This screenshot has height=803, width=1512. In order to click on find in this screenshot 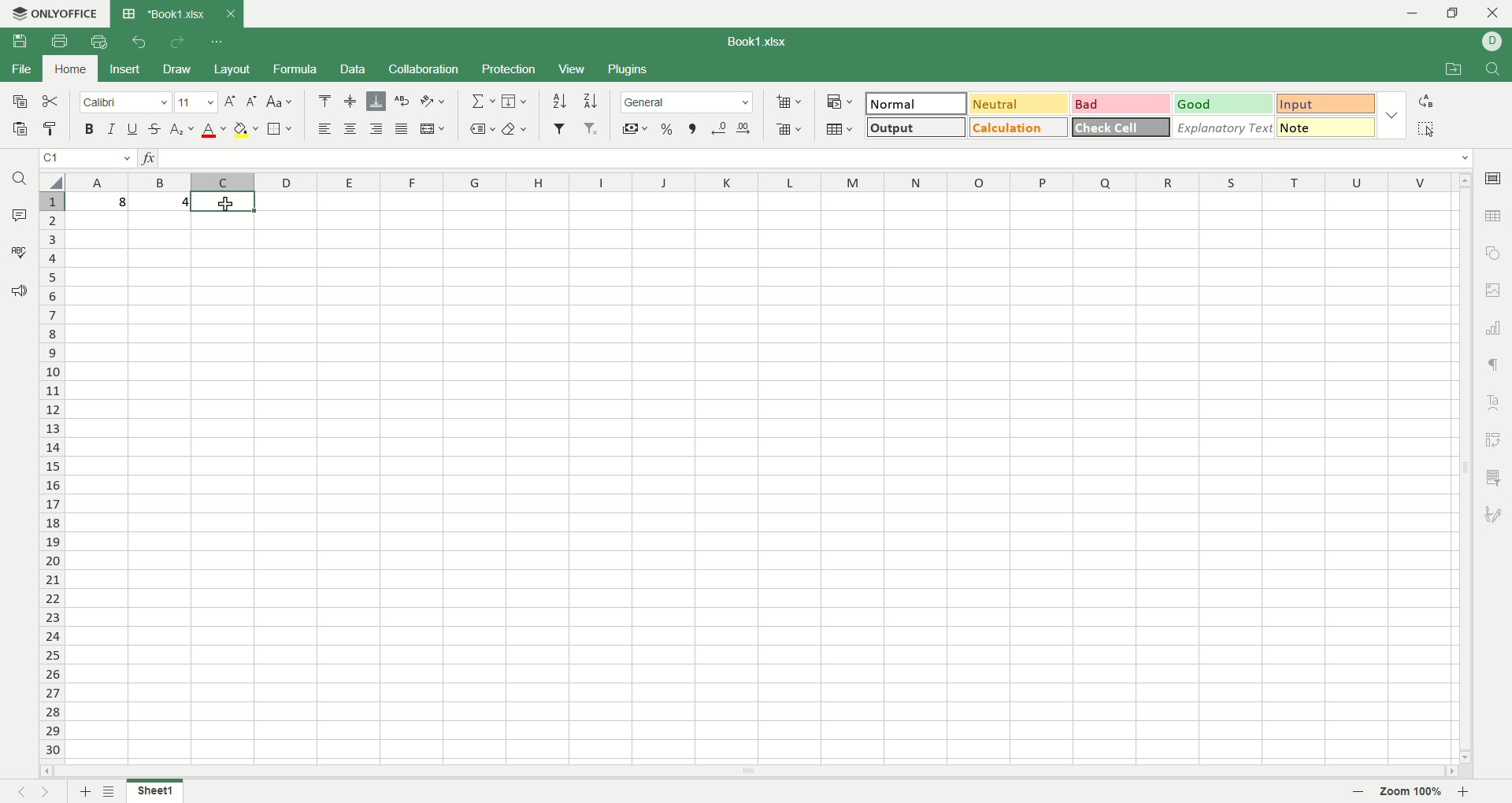, I will do `click(1494, 67)`.